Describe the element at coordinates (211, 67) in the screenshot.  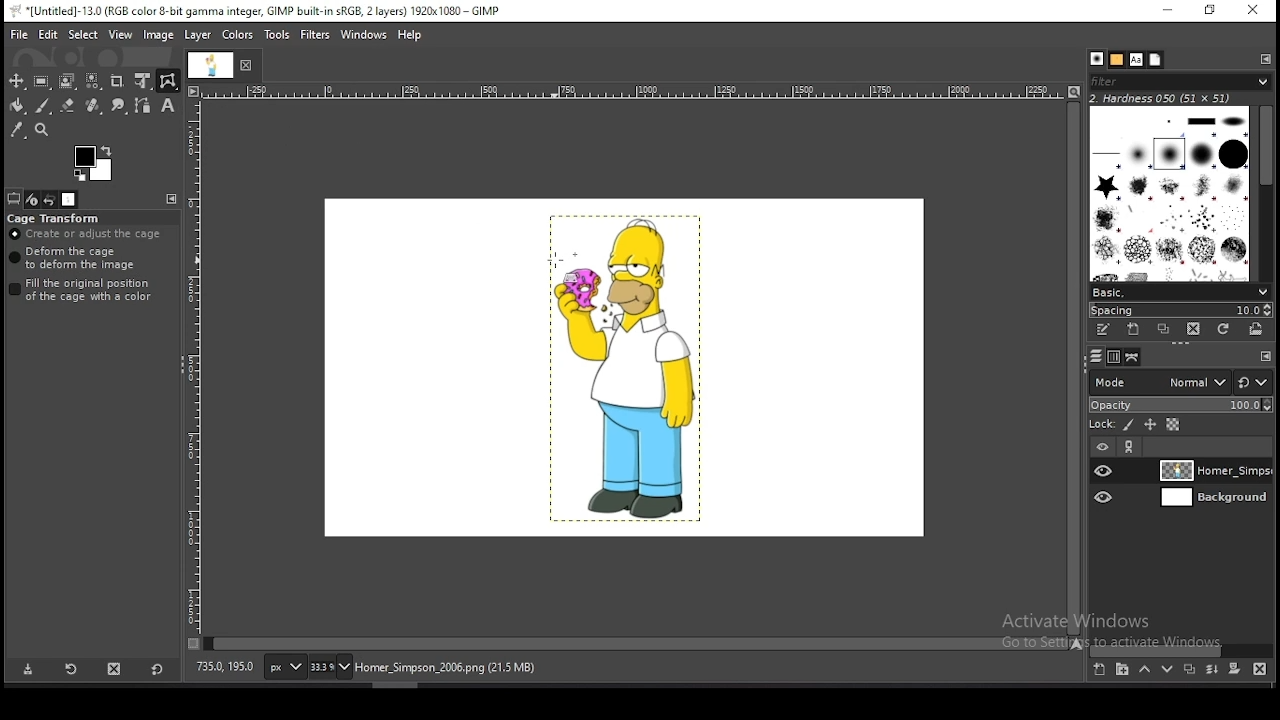
I see `document tab` at that location.